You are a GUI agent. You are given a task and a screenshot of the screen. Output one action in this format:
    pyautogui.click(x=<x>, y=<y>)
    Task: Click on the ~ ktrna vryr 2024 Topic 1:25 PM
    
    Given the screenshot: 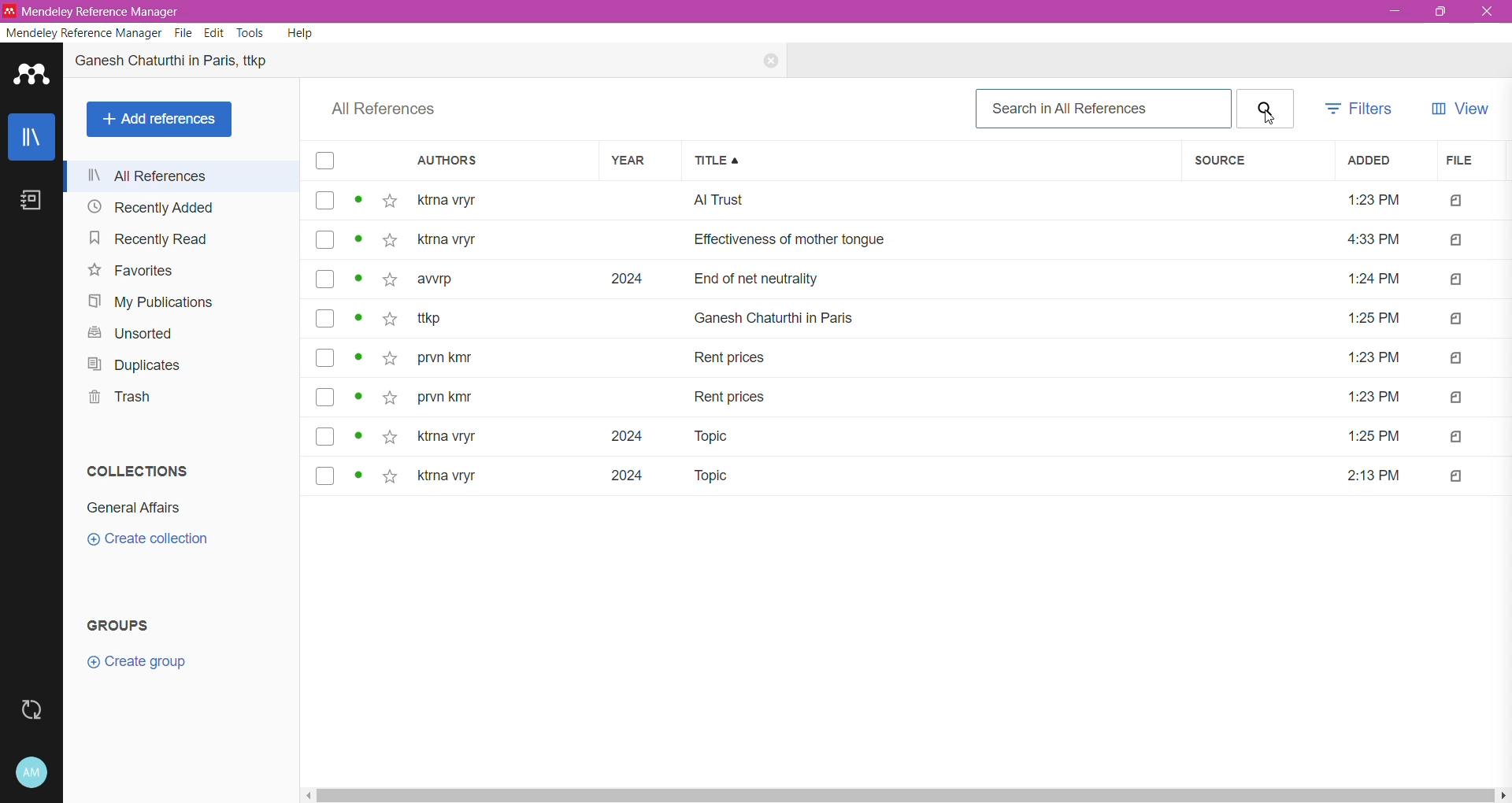 What is the action you would take?
    pyautogui.click(x=911, y=436)
    